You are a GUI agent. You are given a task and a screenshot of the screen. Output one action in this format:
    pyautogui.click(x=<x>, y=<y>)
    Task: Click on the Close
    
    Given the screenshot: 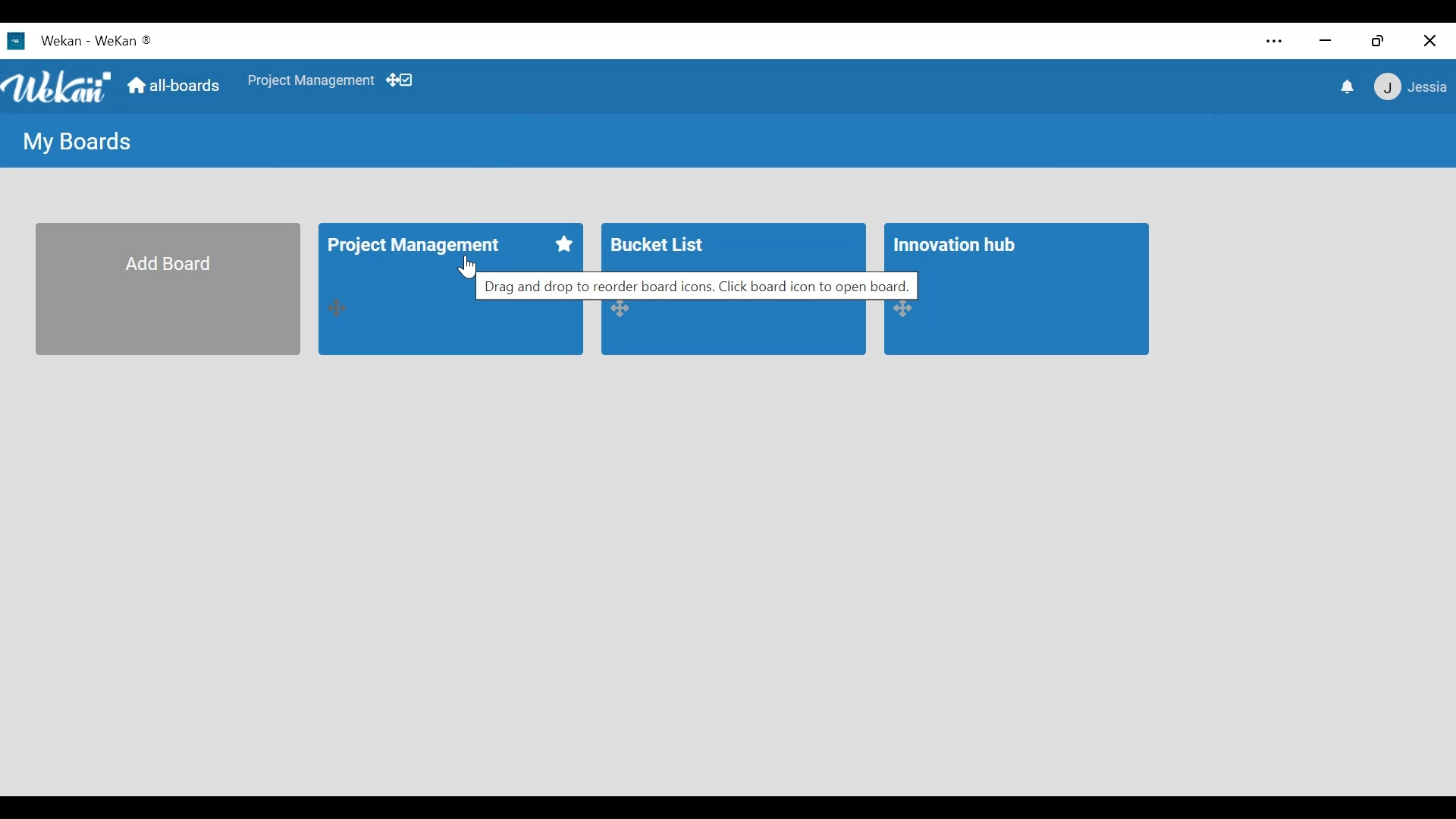 What is the action you would take?
    pyautogui.click(x=1431, y=39)
    